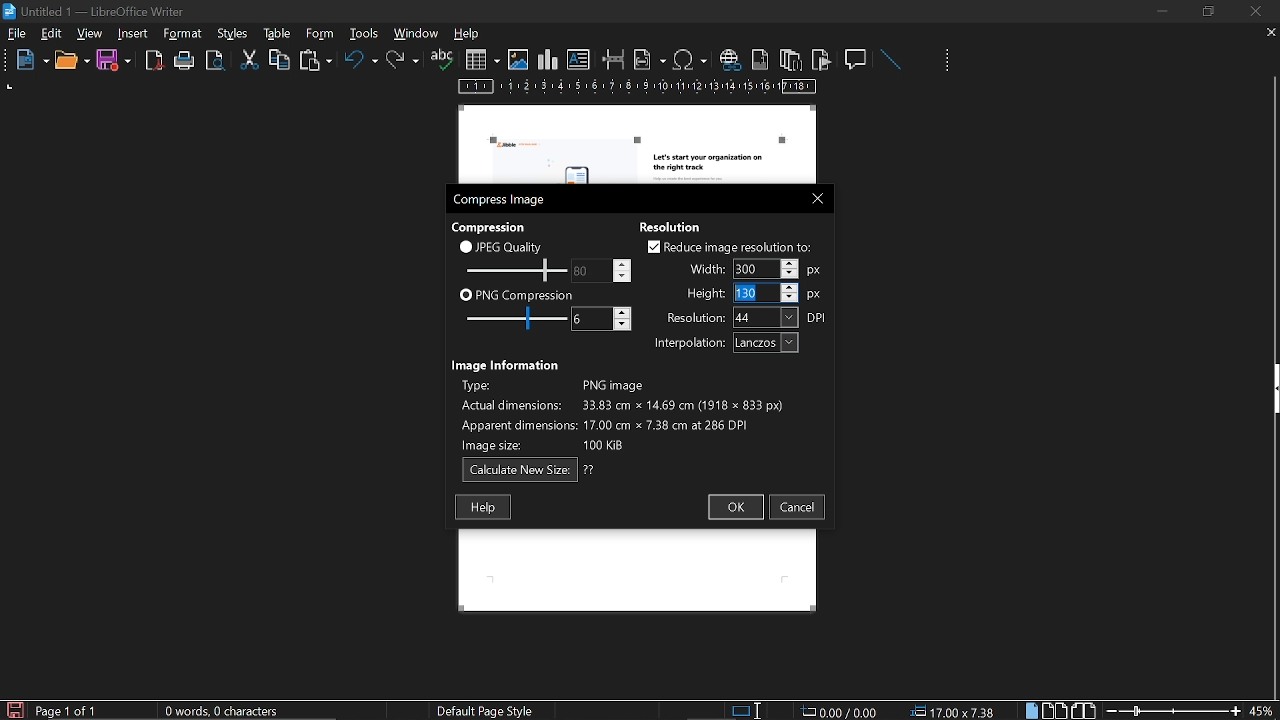 The image size is (1280, 720). I want to click on undo, so click(361, 63).